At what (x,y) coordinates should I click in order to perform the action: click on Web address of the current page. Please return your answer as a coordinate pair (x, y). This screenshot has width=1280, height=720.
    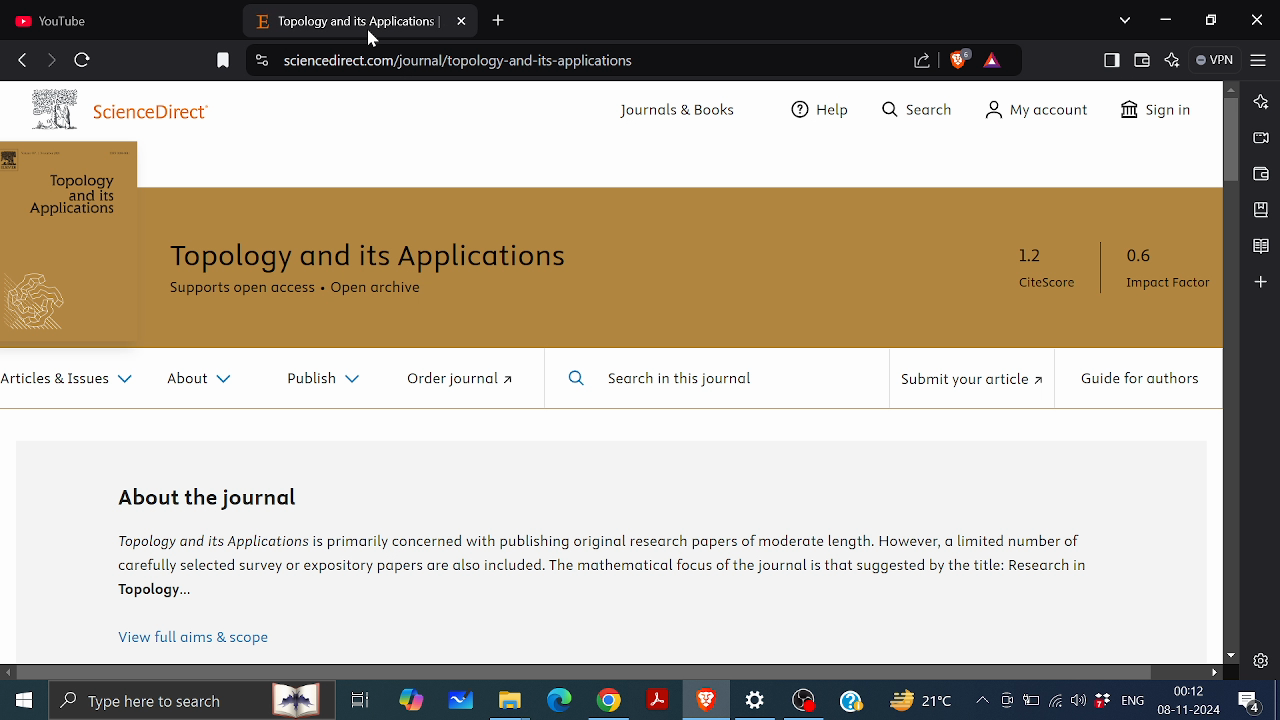
    Looking at the image, I should click on (465, 61).